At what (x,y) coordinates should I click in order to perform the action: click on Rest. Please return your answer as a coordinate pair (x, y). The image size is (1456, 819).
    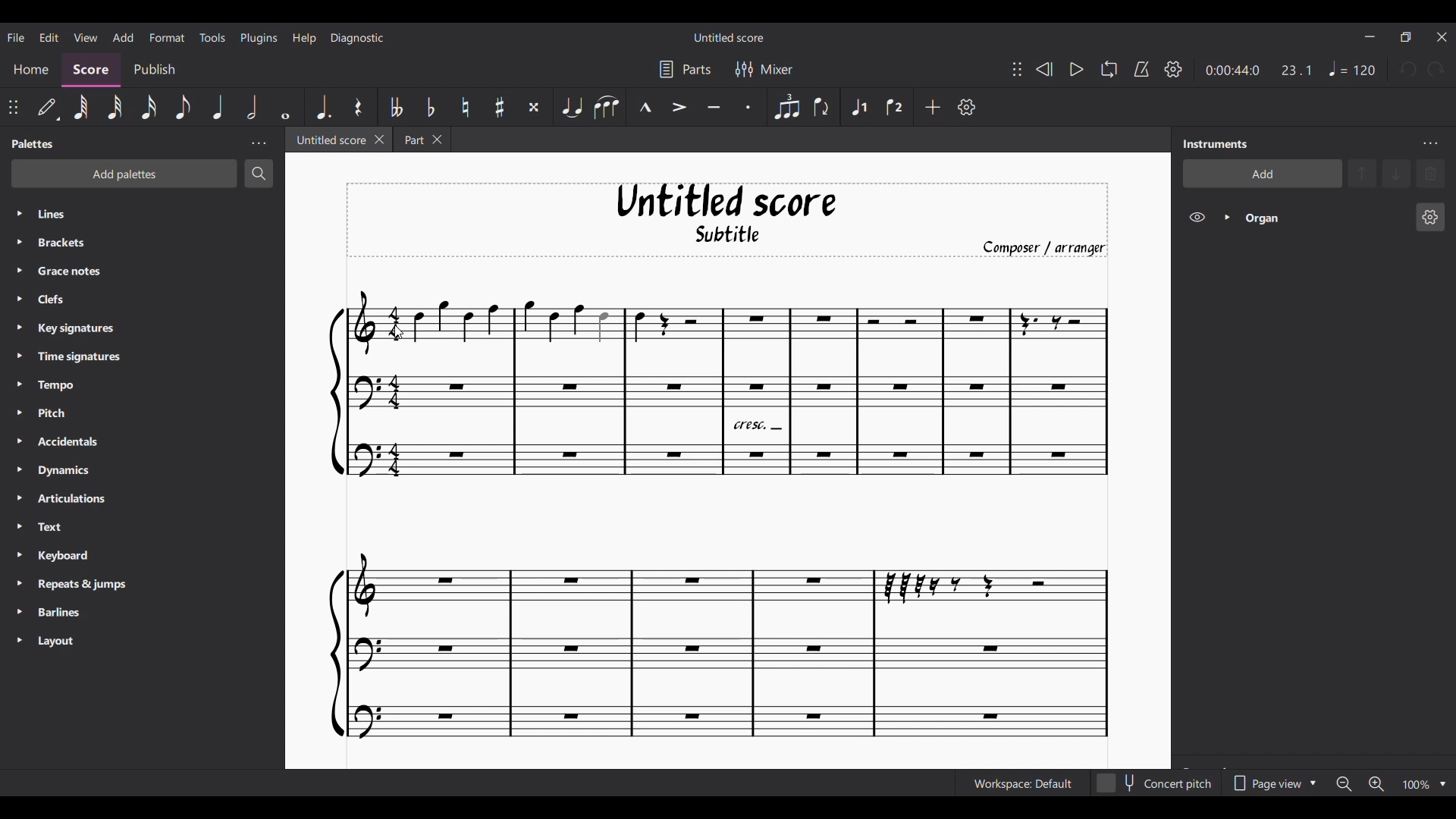
    Looking at the image, I should click on (357, 107).